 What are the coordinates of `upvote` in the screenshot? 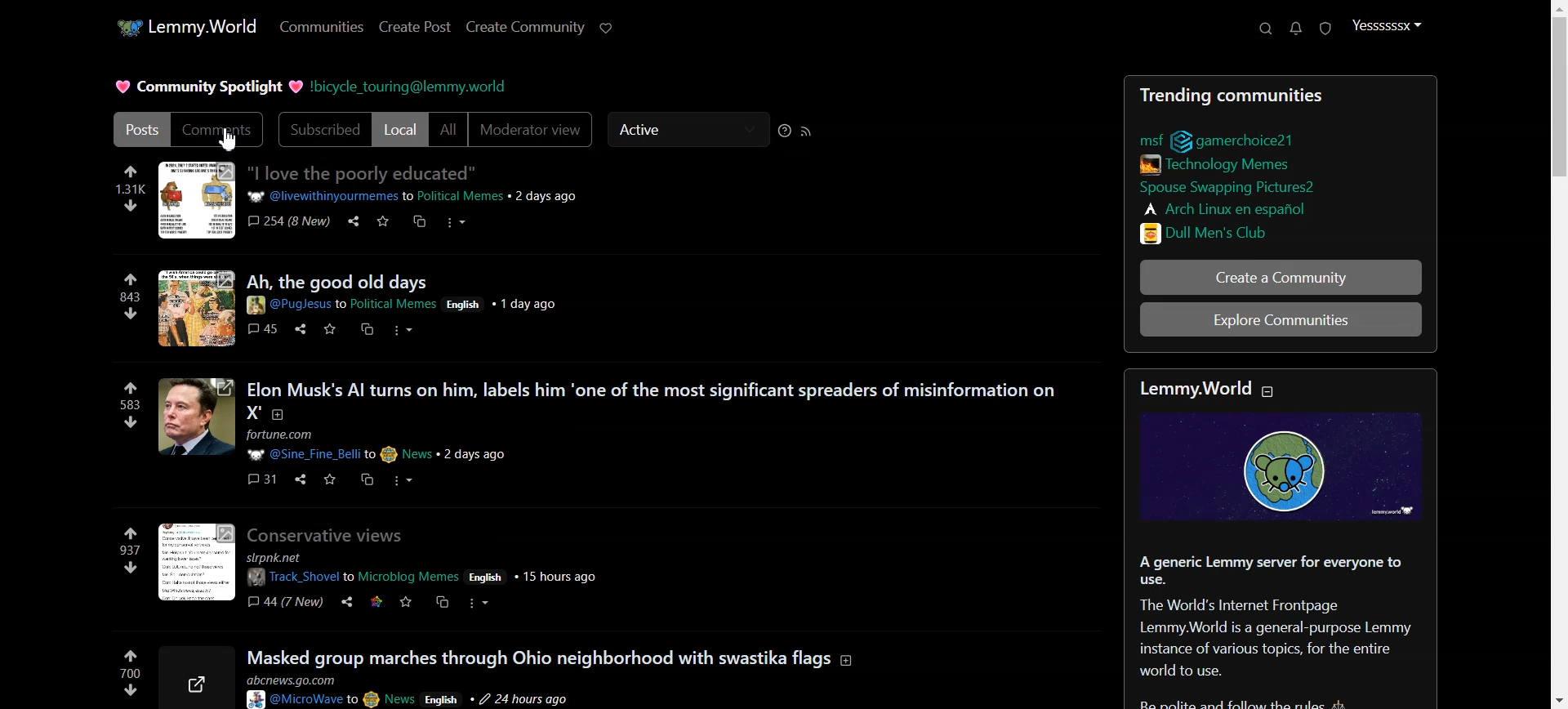 It's located at (130, 280).